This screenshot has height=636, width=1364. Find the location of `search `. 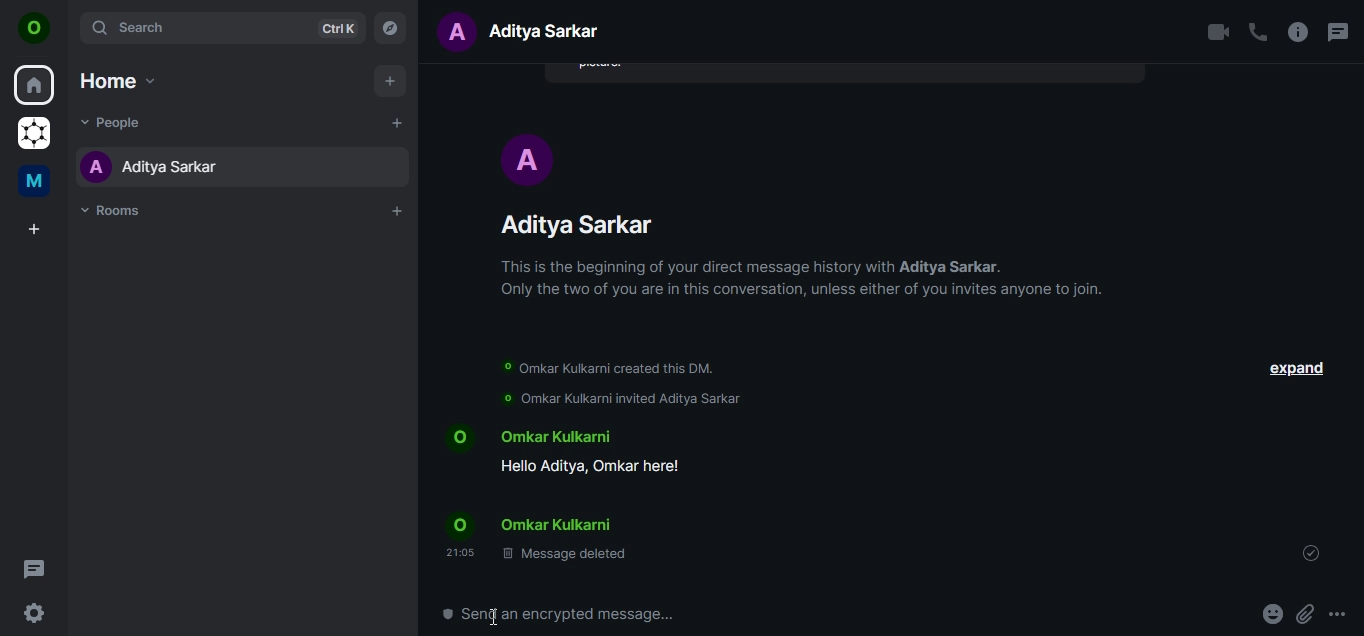

search  is located at coordinates (226, 28).